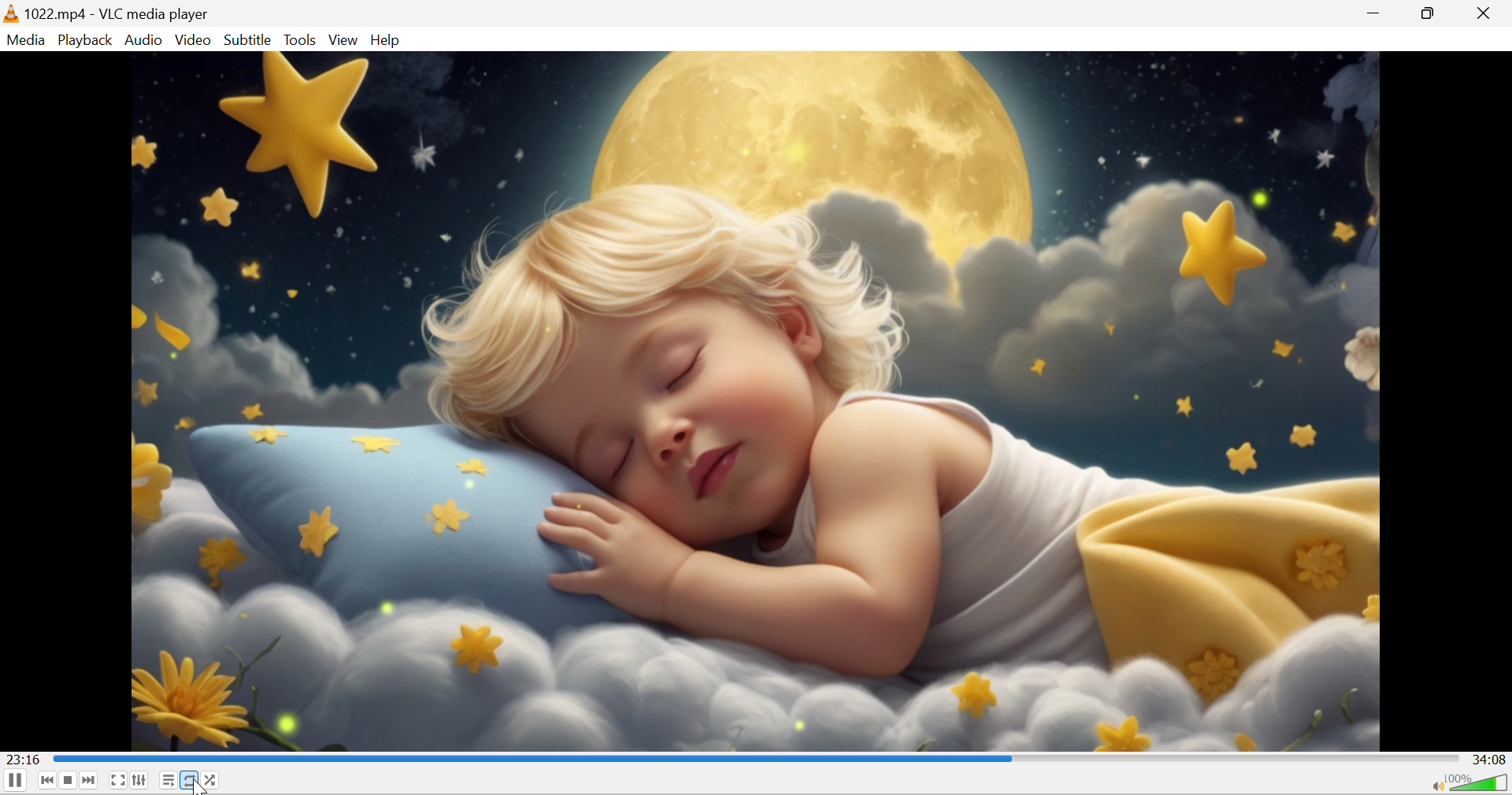 The height and width of the screenshot is (795, 1512). I want to click on Audio, so click(145, 41).